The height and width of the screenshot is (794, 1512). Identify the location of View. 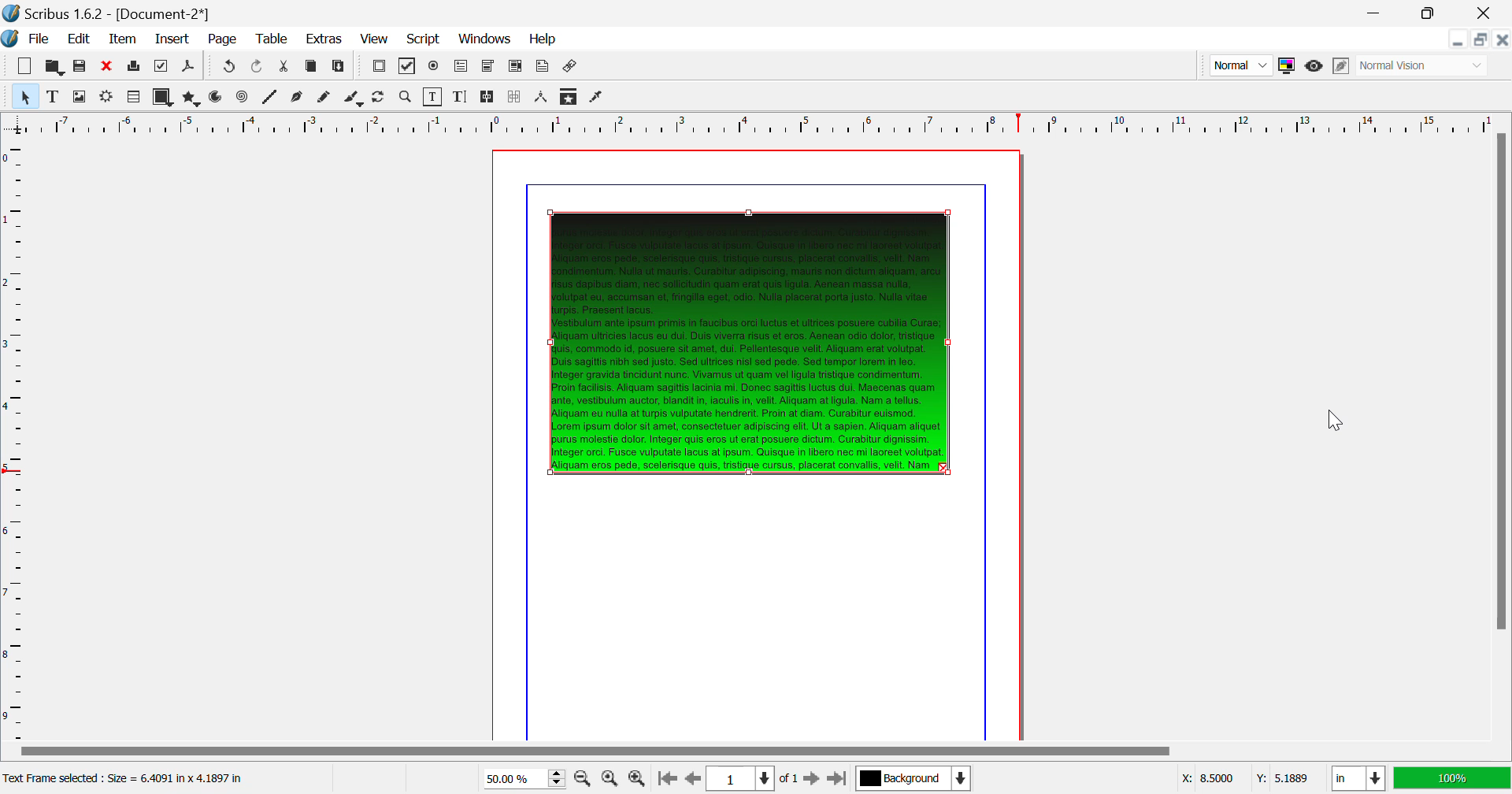
(373, 39).